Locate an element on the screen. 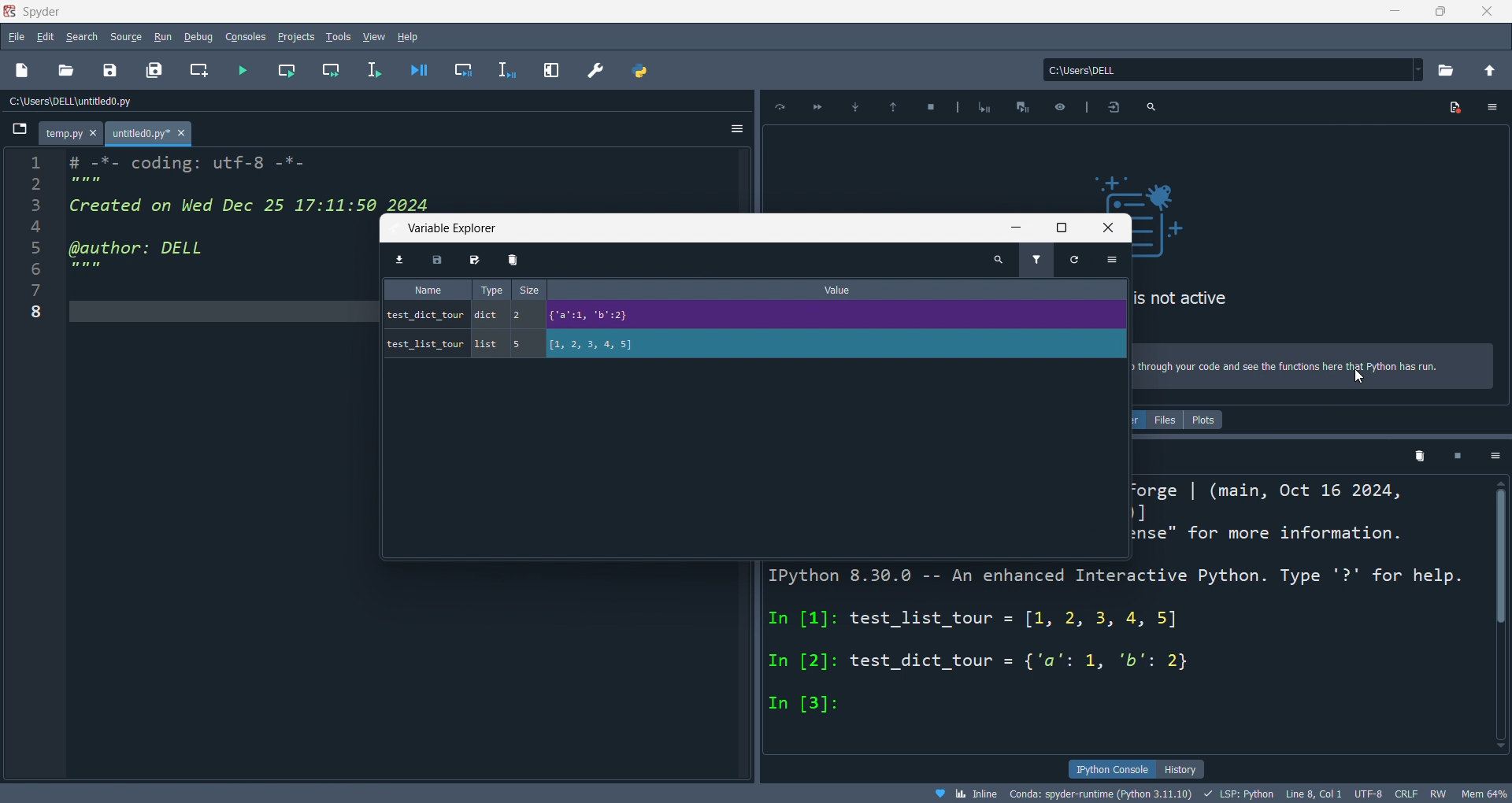  save is located at coordinates (110, 70).